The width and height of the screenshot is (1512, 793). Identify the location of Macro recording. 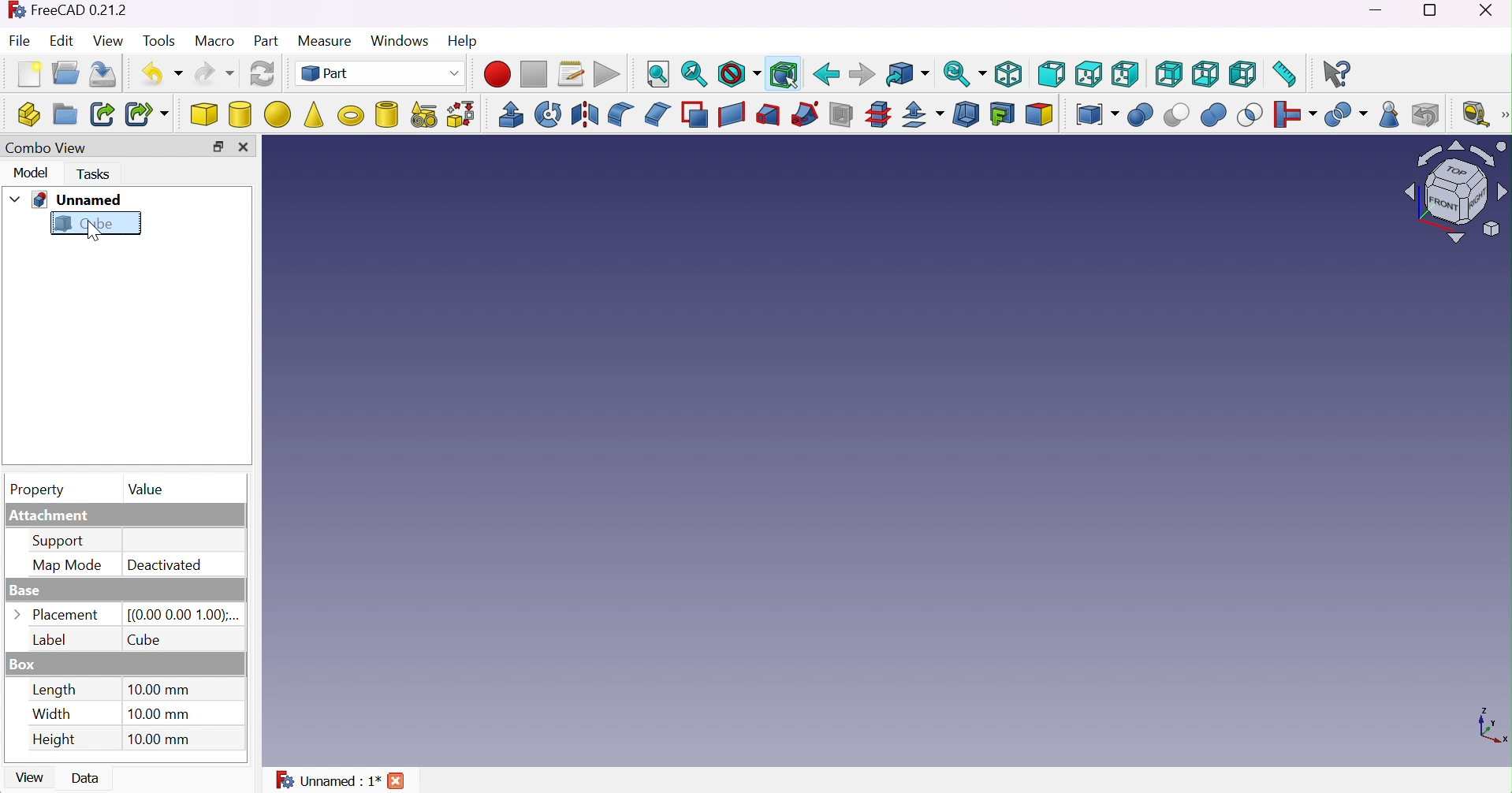
(497, 74).